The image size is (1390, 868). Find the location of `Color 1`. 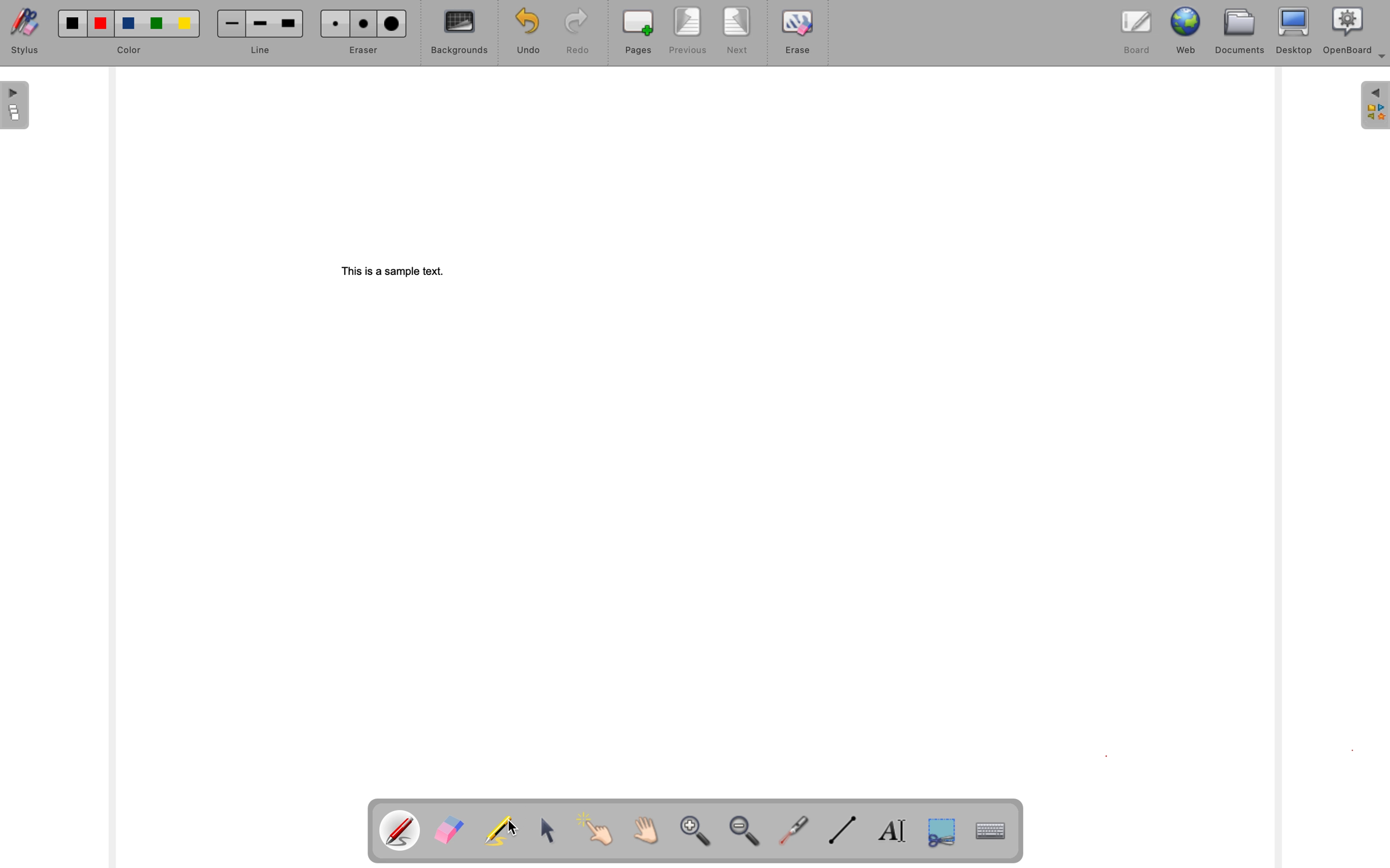

Color 1 is located at coordinates (74, 24).